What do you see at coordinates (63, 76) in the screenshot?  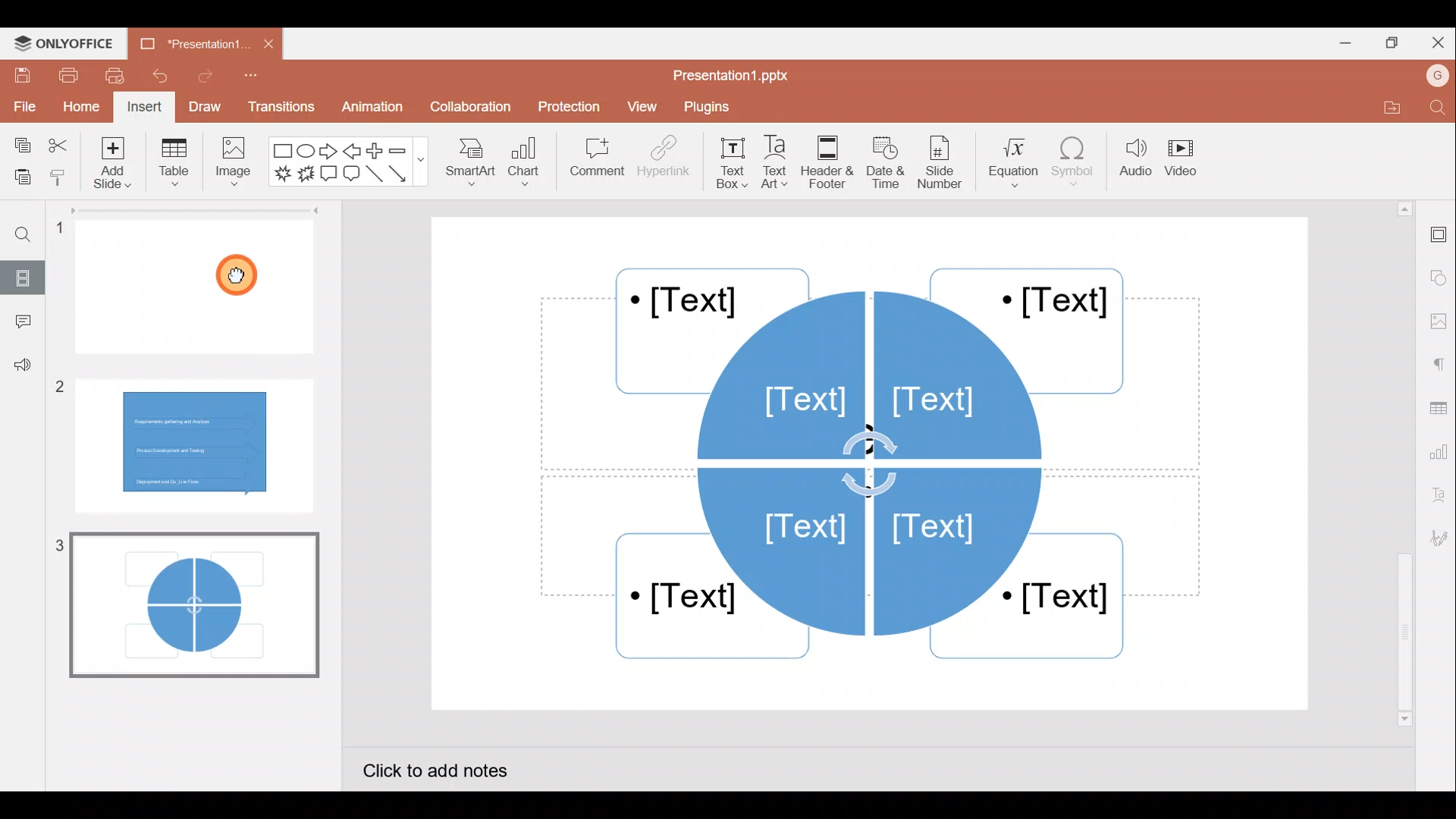 I see `Print file` at bounding box center [63, 76].